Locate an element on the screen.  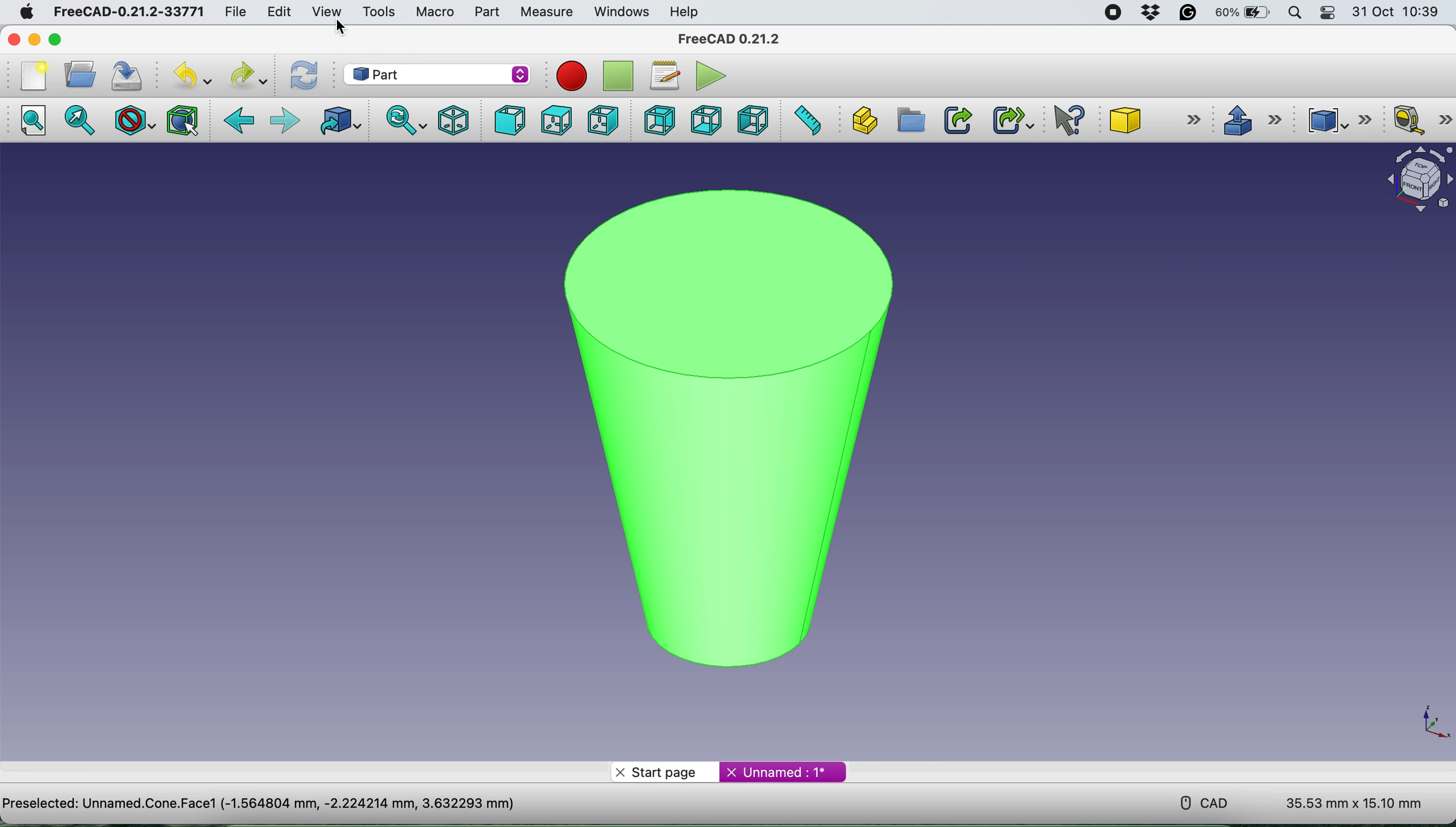
extrude is located at coordinates (1251, 120).